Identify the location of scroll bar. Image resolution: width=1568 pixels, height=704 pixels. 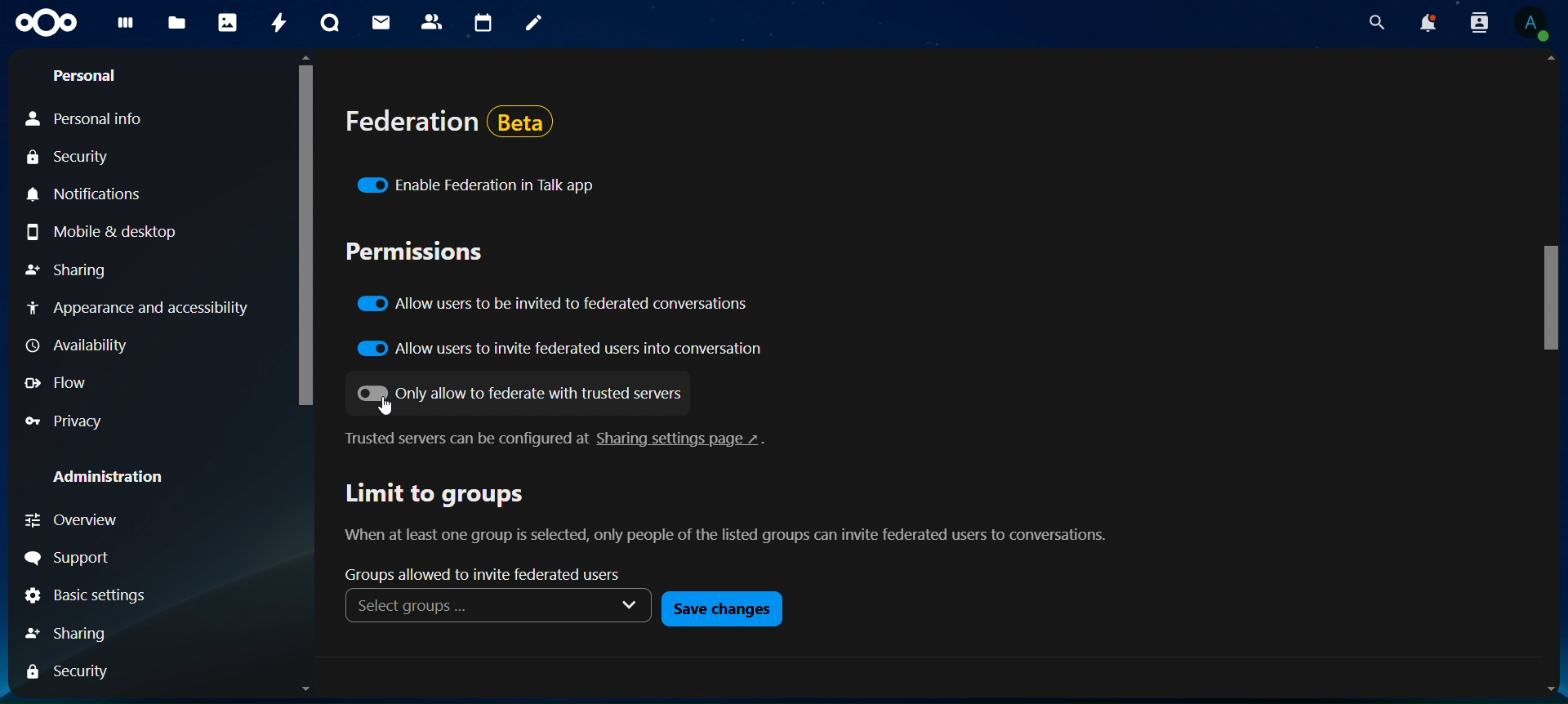
(306, 230).